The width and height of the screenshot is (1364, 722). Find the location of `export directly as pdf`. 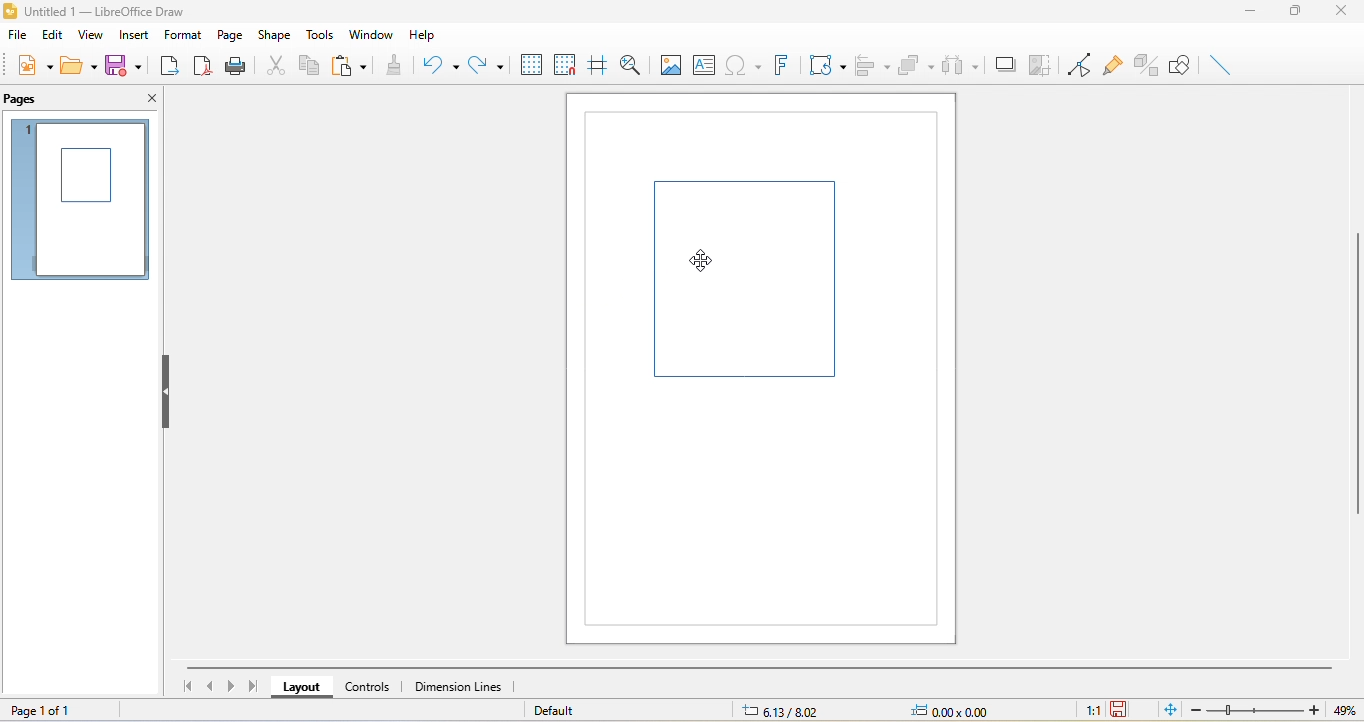

export directly as pdf is located at coordinates (201, 67).